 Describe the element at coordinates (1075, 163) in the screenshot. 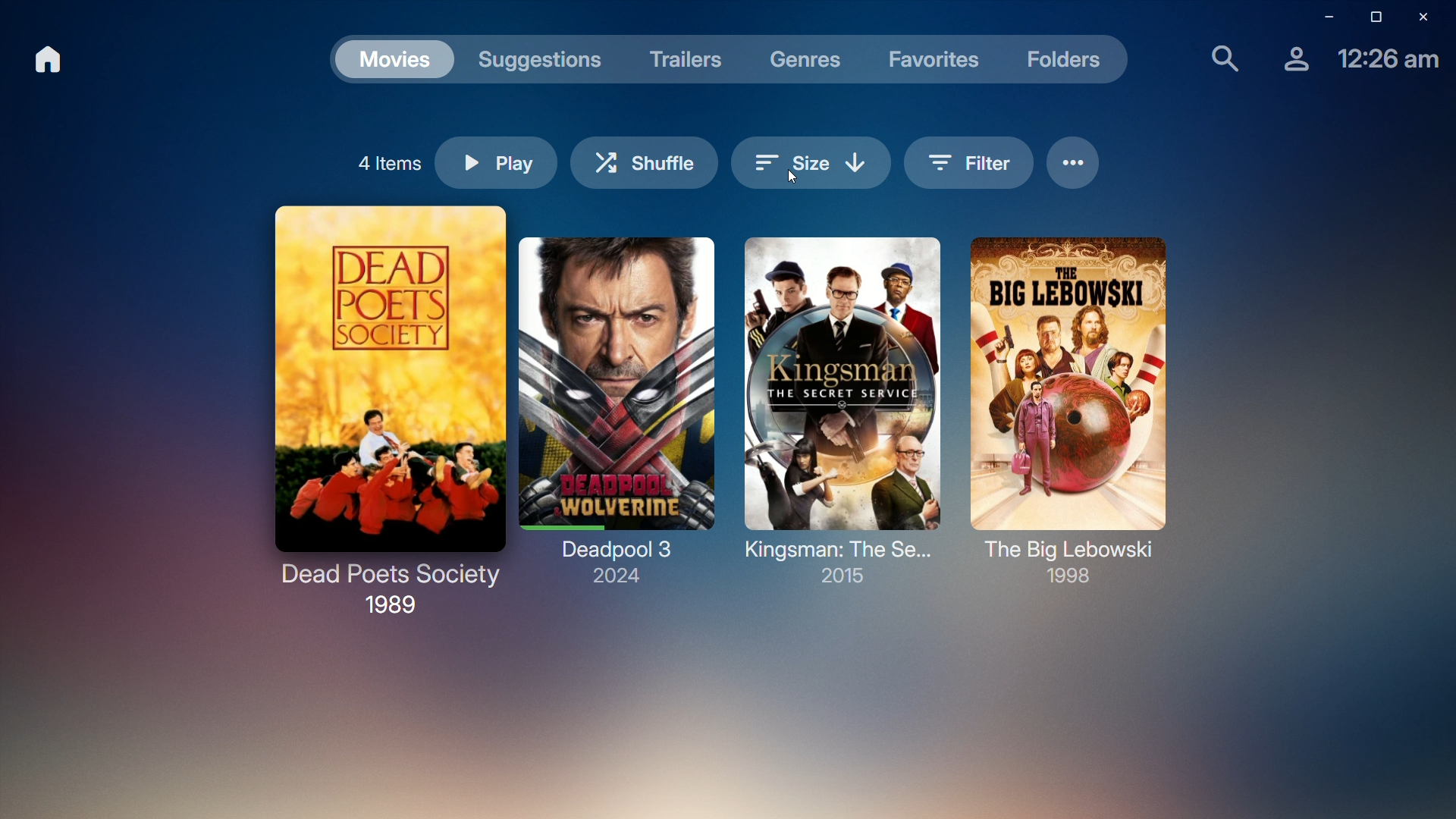

I see `Options` at that location.